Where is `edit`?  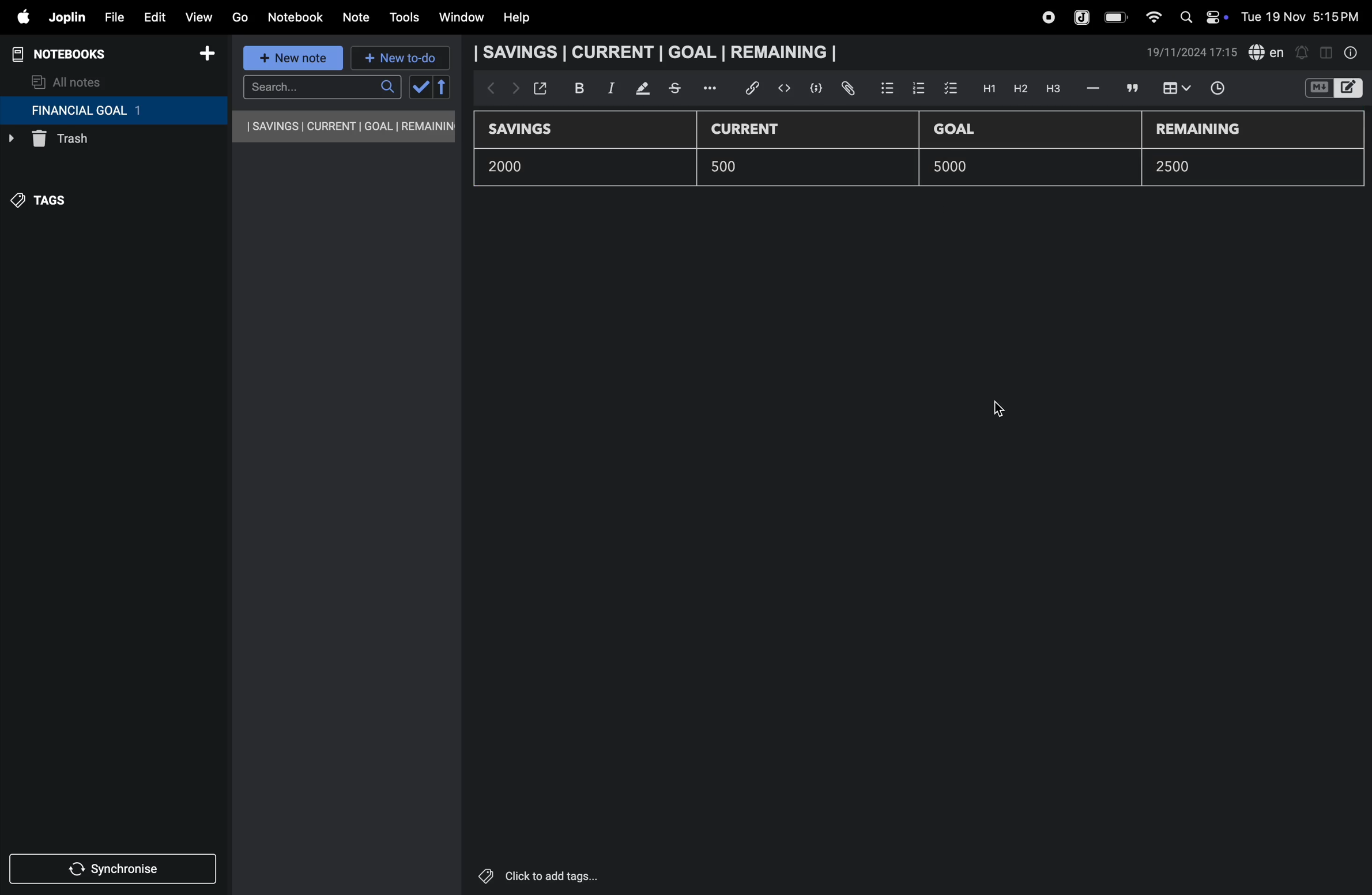 edit is located at coordinates (149, 14).